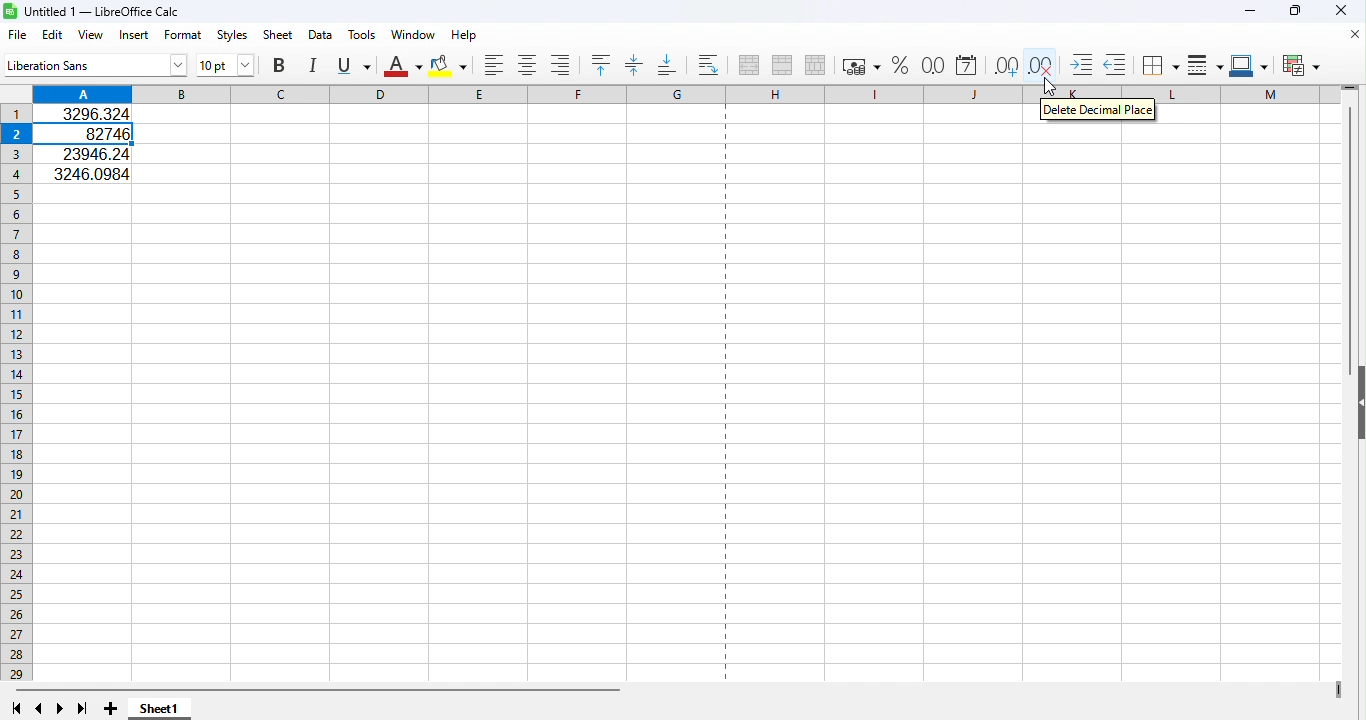 Image resolution: width=1366 pixels, height=720 pixels. I want to click on Cells, so click(692, 434).